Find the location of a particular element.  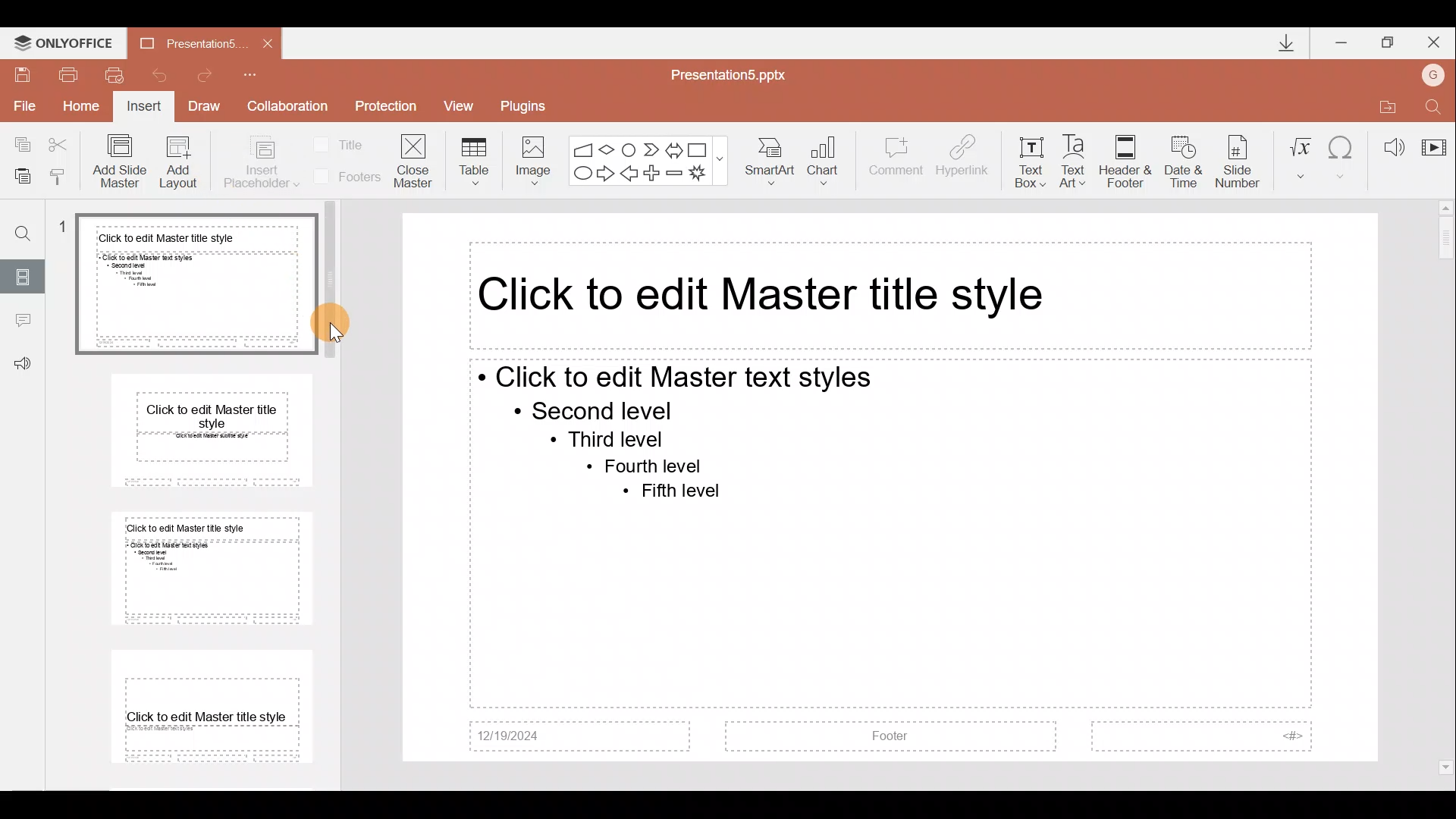

Feedback & support is located at coordinates (23, 365).